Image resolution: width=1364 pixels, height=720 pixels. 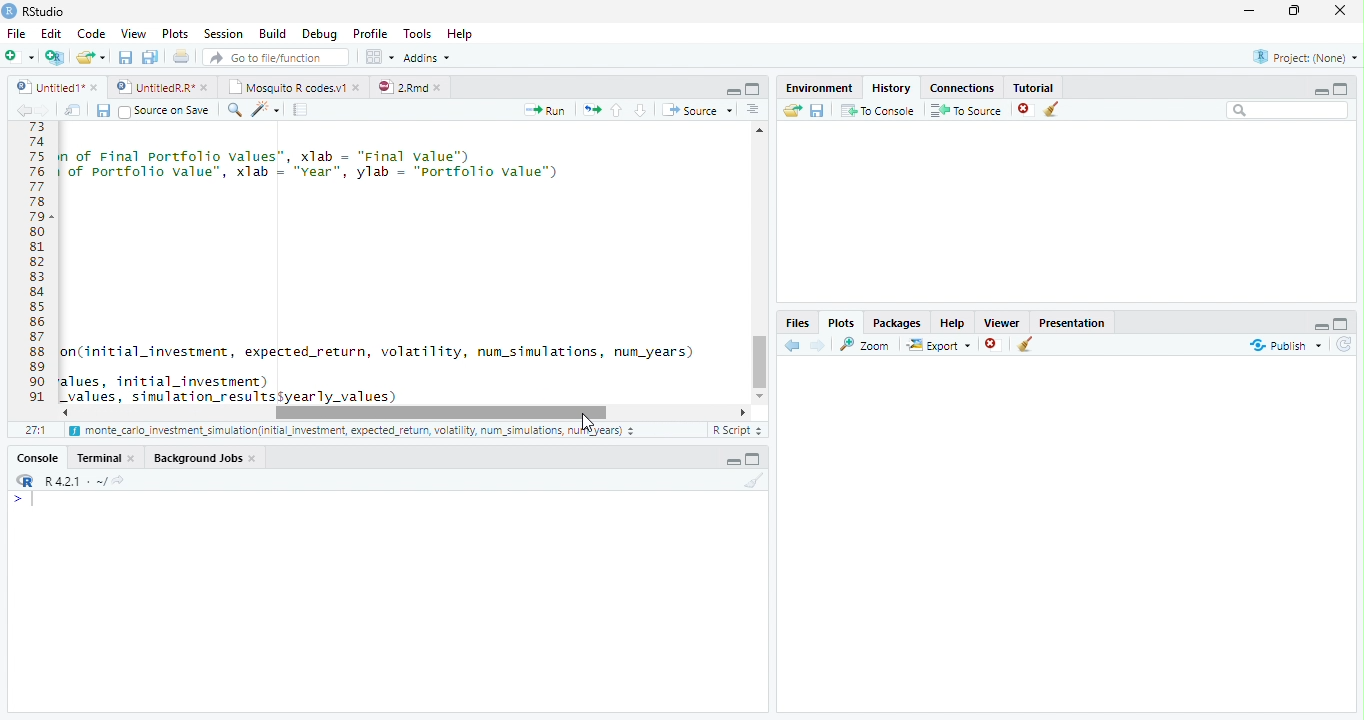 What do you see at coordinates (1342, 87) in the screenshot?
I see `Full Height` at bounding box center [1342, 87].